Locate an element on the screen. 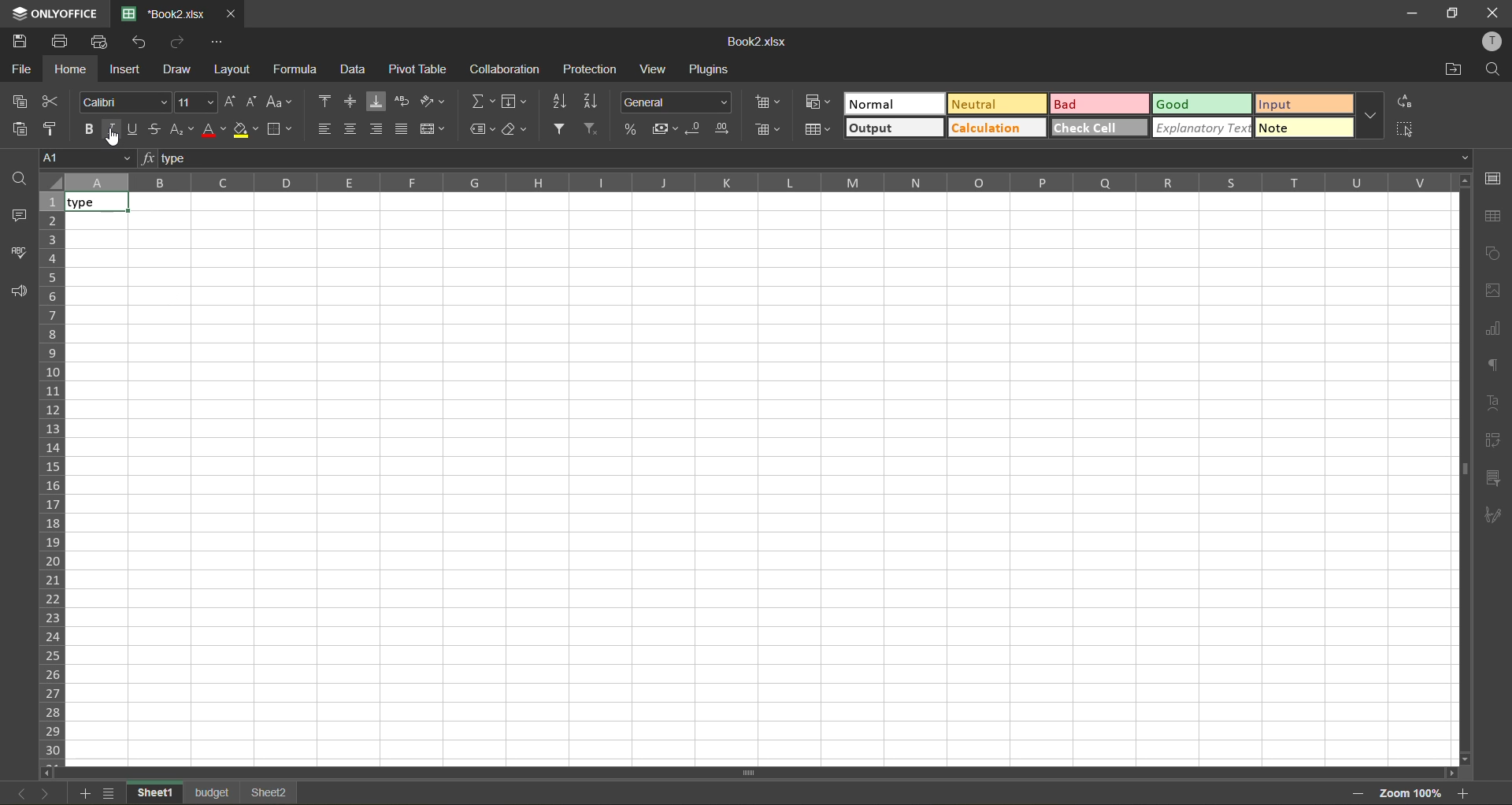  good is located at coordinates (1200, 103).